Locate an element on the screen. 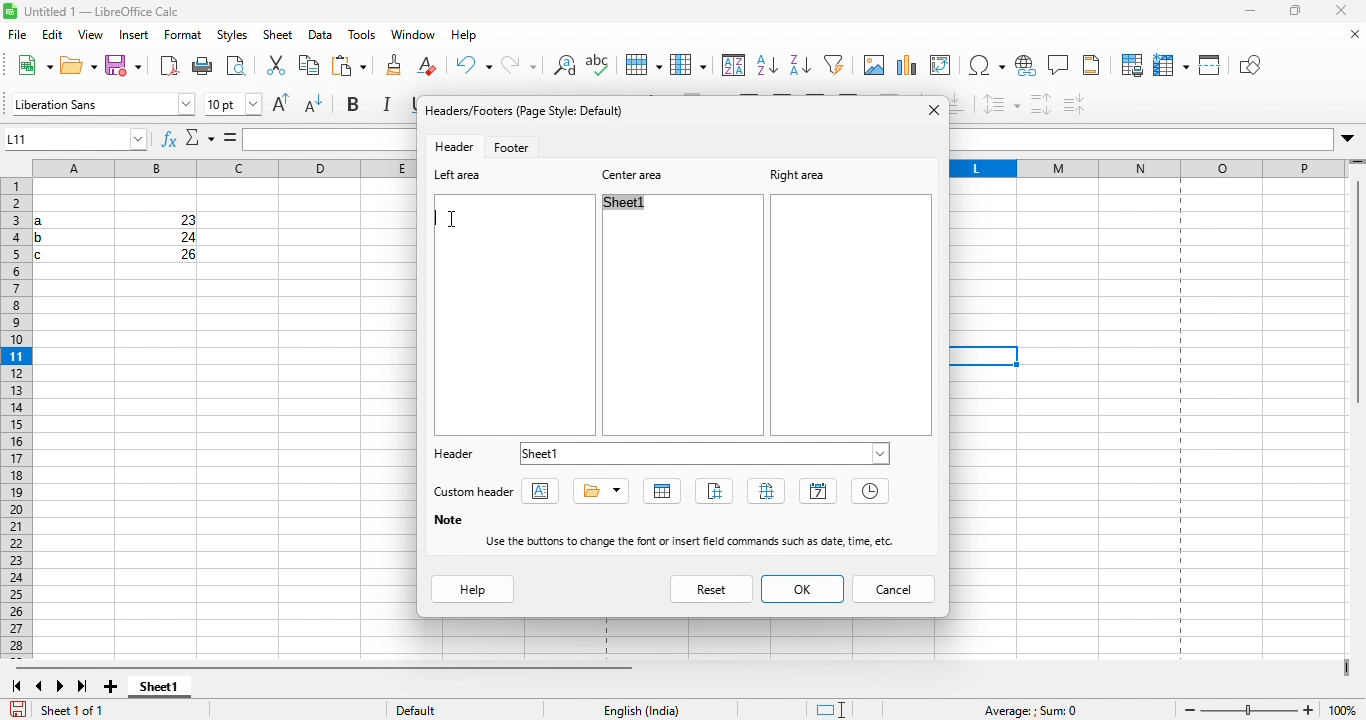 Image resolution: width=1366 pixels, height=720 pixels. print is located at coordinates (202, 67).